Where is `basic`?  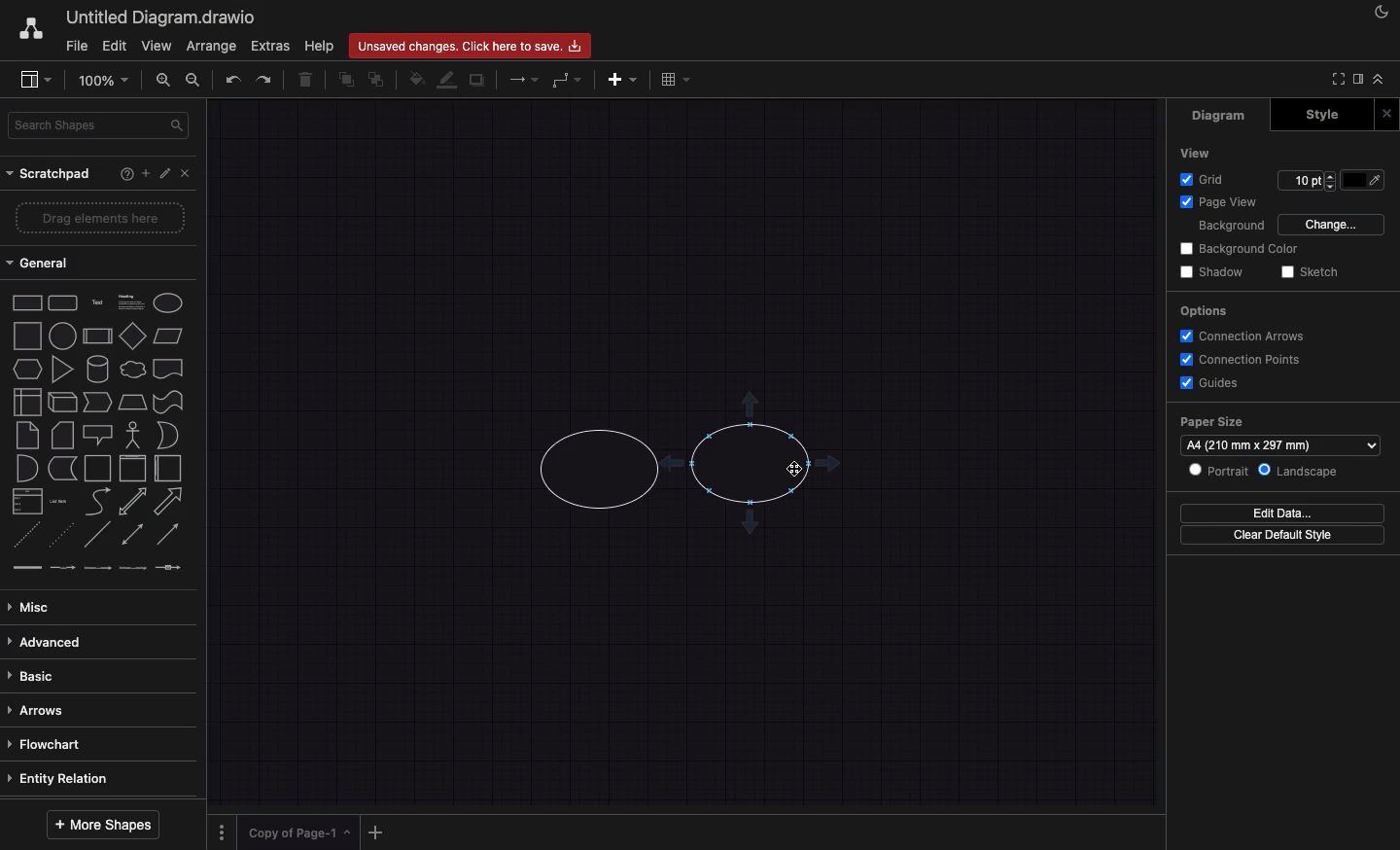 basic is located at coordinates (93, 679).